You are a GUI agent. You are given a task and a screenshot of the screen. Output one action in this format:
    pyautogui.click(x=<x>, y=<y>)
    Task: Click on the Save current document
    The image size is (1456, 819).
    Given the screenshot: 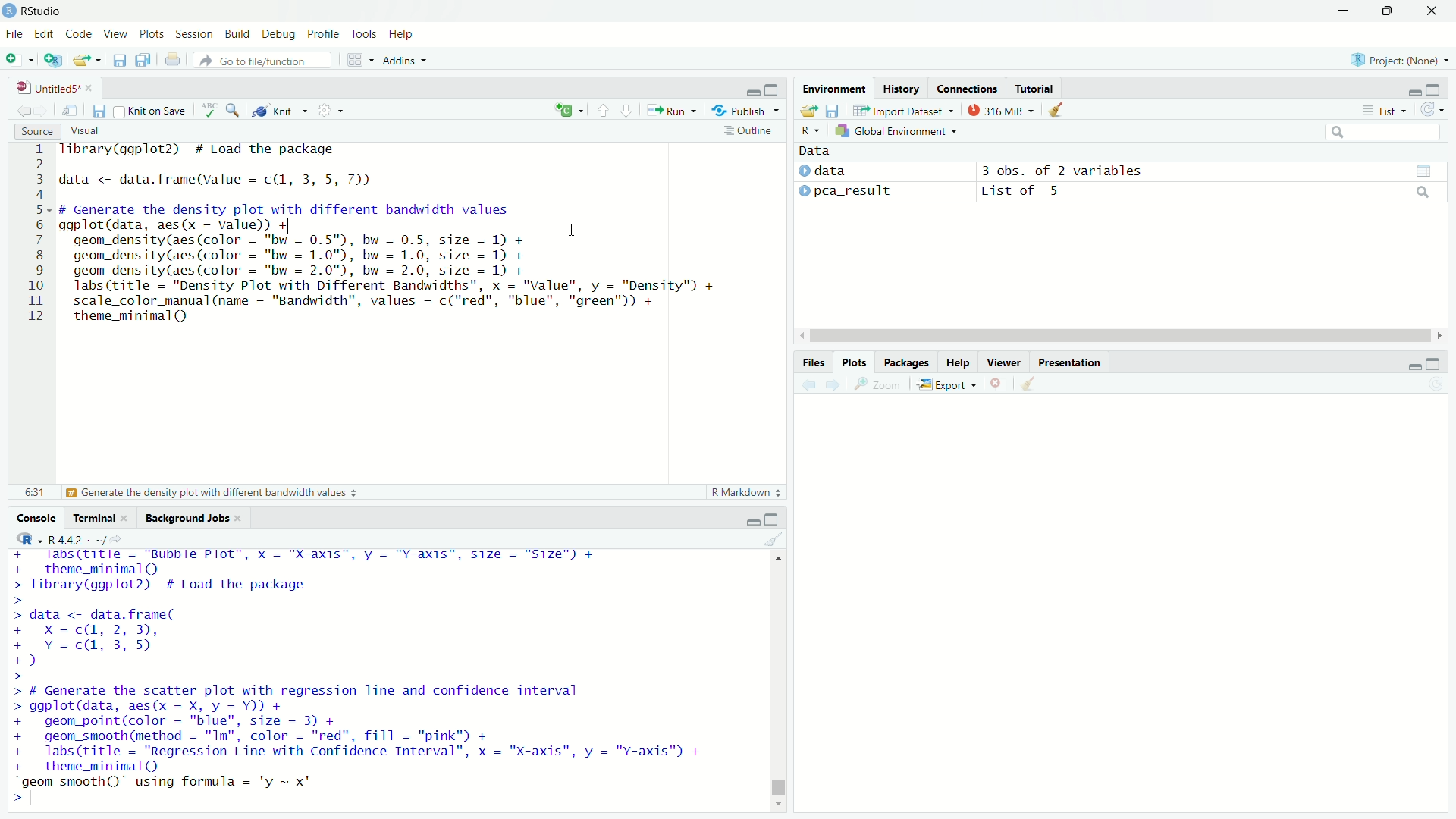 What is the action you would take?
    pyautogui.click(x=99, y=110)
    